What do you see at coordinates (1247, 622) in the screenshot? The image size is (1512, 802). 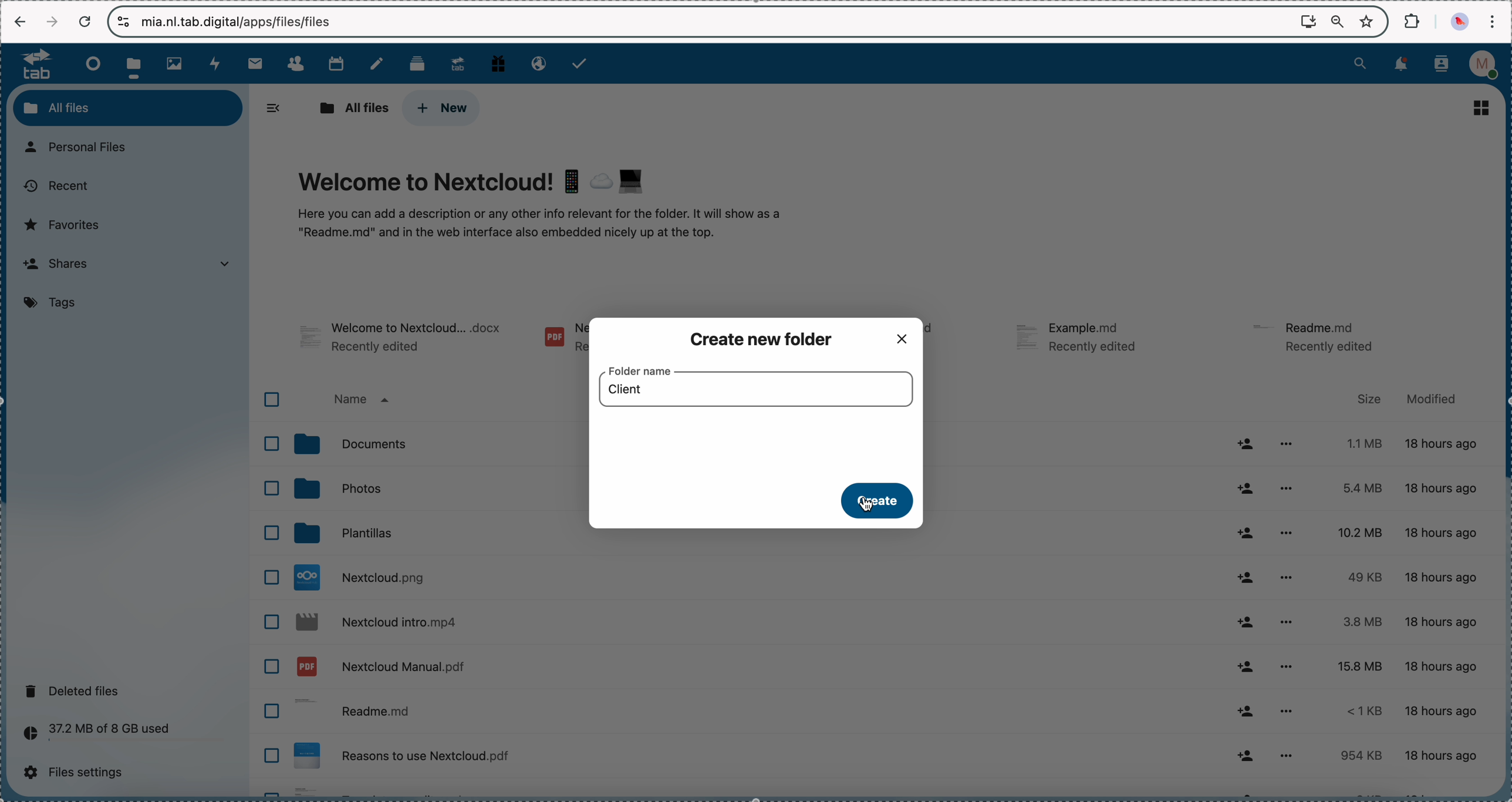 I see `share` at bounding box center [1247, 622].